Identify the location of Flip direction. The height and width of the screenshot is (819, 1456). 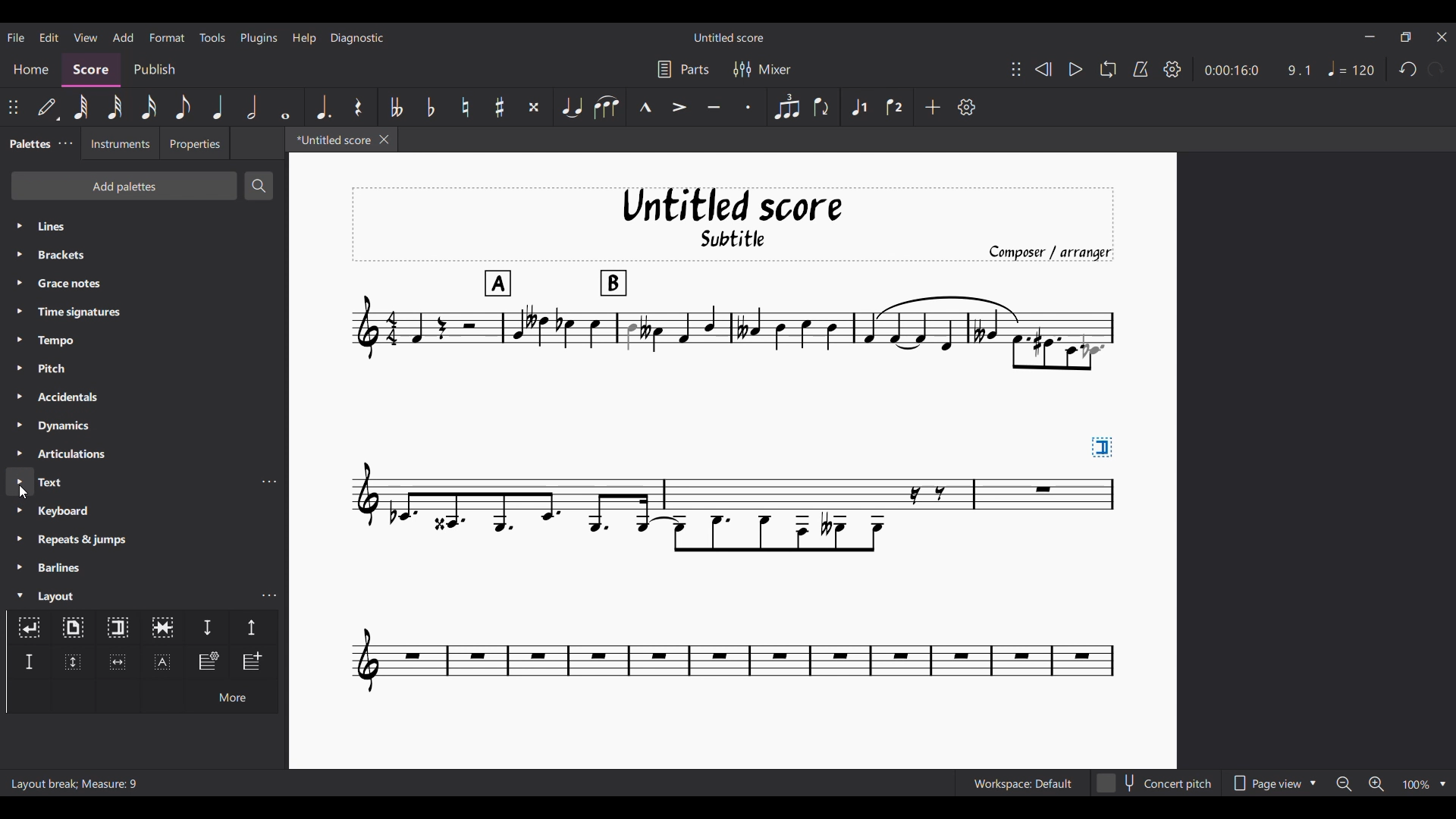
(822, 106).